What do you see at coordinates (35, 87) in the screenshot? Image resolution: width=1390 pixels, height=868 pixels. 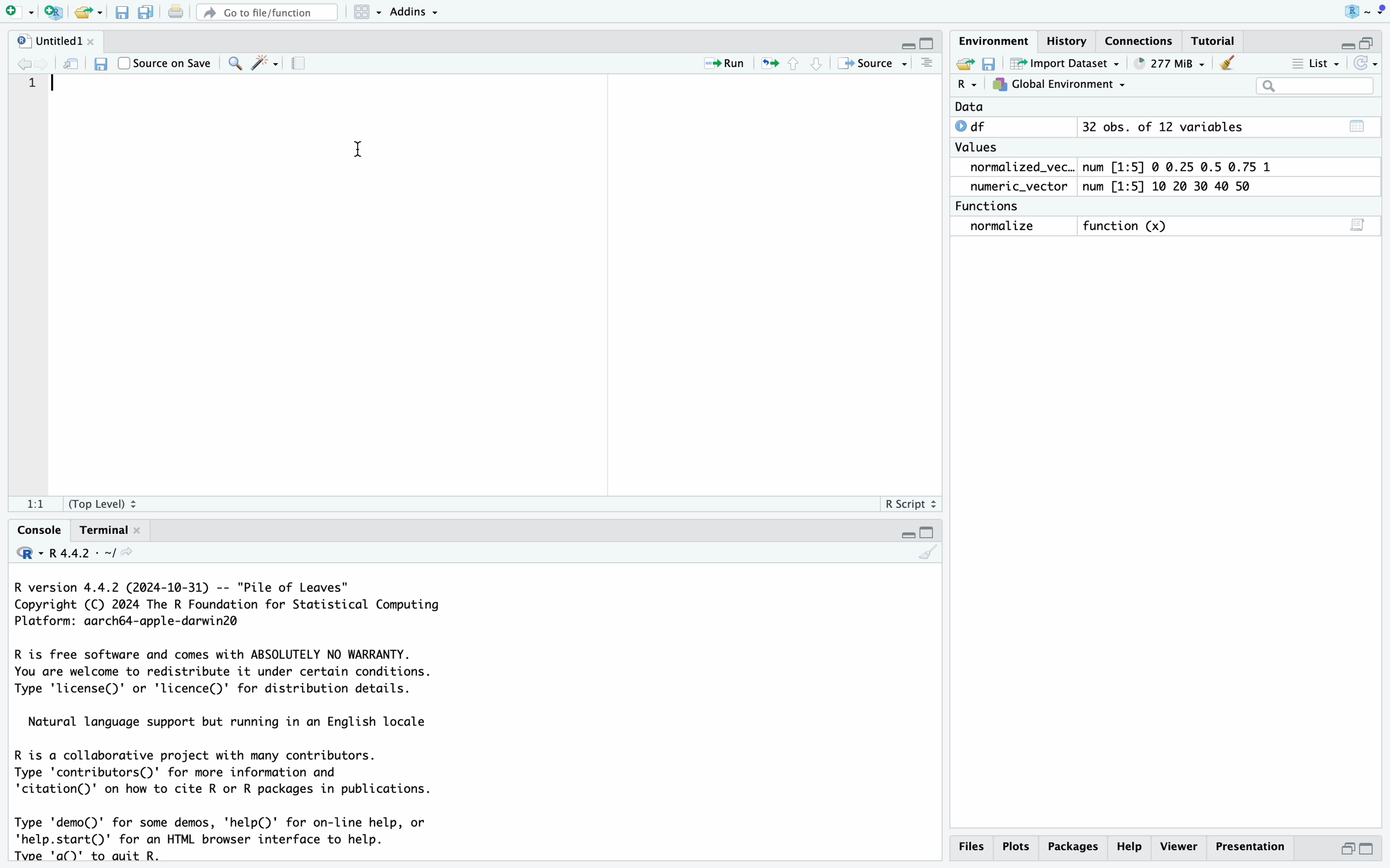 I see `CODE LINE` at bounding box center [35, 87].